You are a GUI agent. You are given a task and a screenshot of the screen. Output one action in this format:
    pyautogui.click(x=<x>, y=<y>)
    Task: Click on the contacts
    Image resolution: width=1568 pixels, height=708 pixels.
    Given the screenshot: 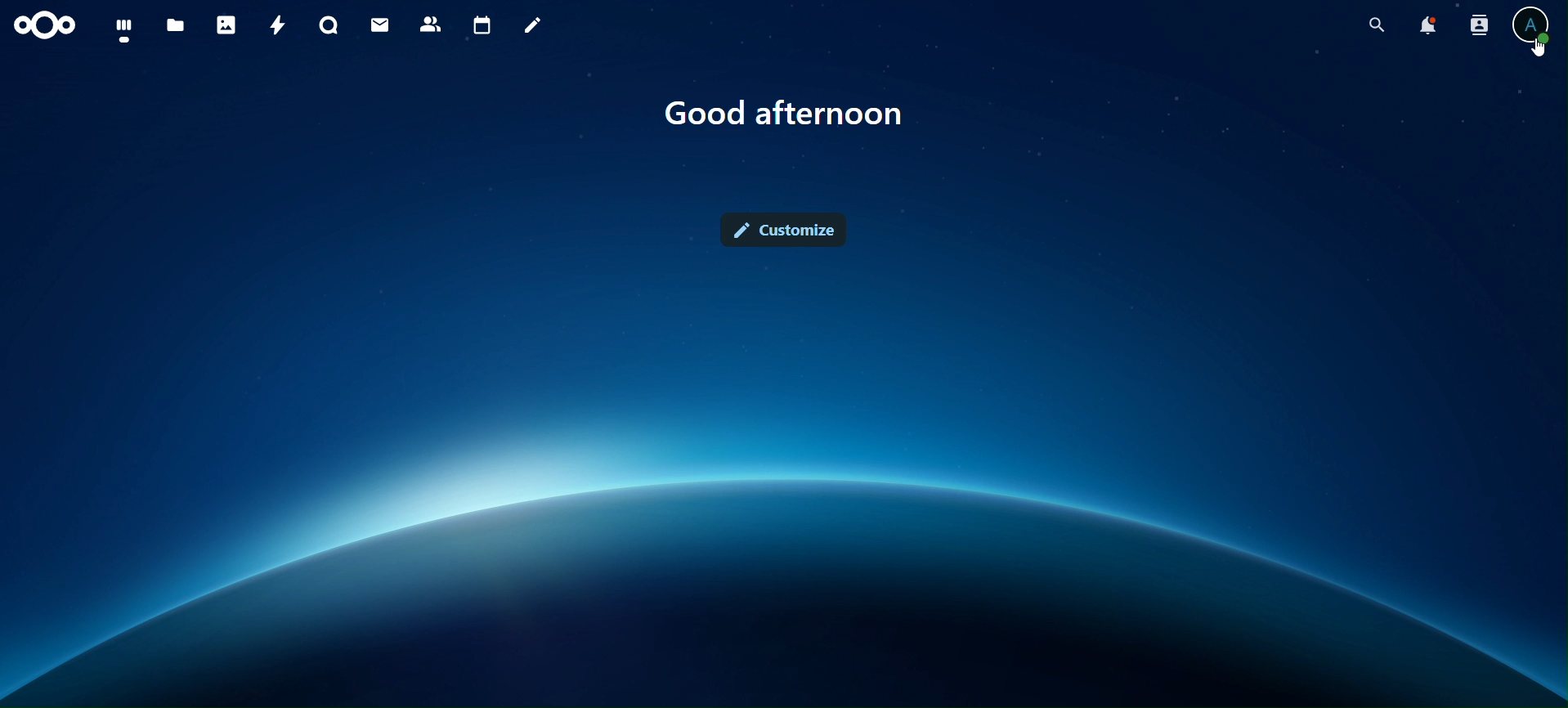 What is the action you would take?
    pyautogui.click(x=431, y=25)
    